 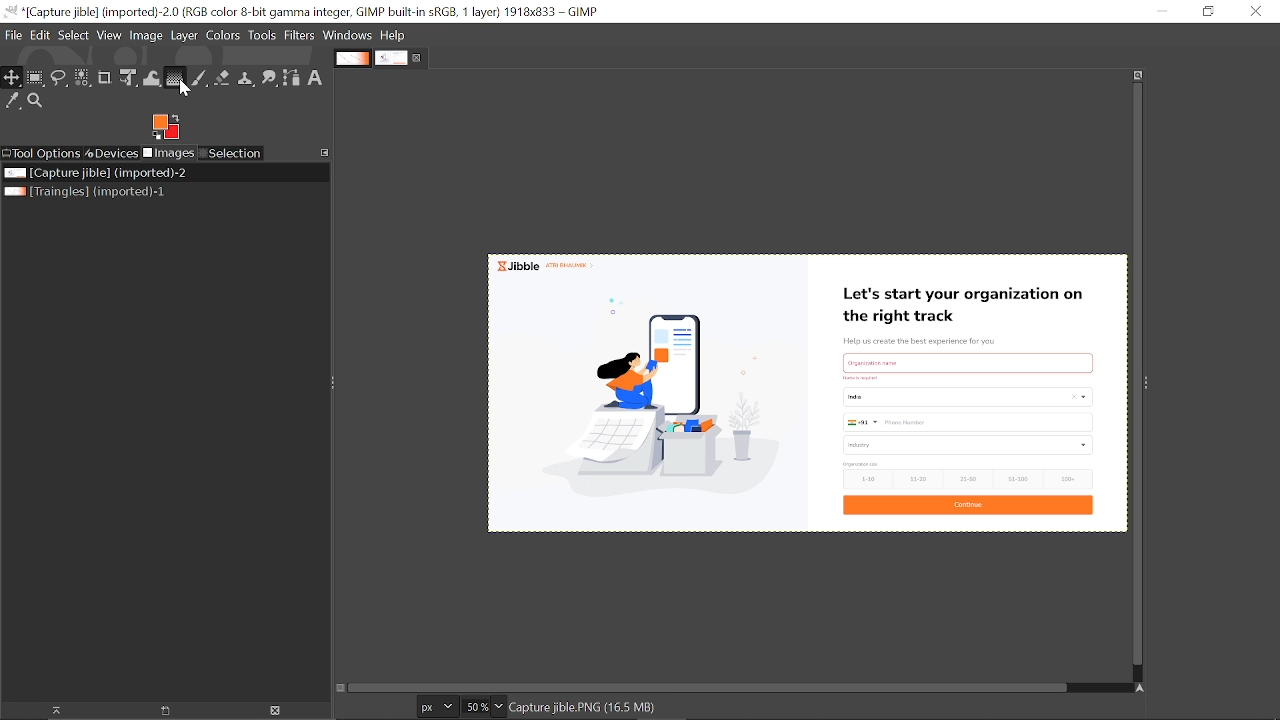 What do you see at coordinates (352, 58) in the screenshot?
I see `Other tab` at bounding box center [352, 58].